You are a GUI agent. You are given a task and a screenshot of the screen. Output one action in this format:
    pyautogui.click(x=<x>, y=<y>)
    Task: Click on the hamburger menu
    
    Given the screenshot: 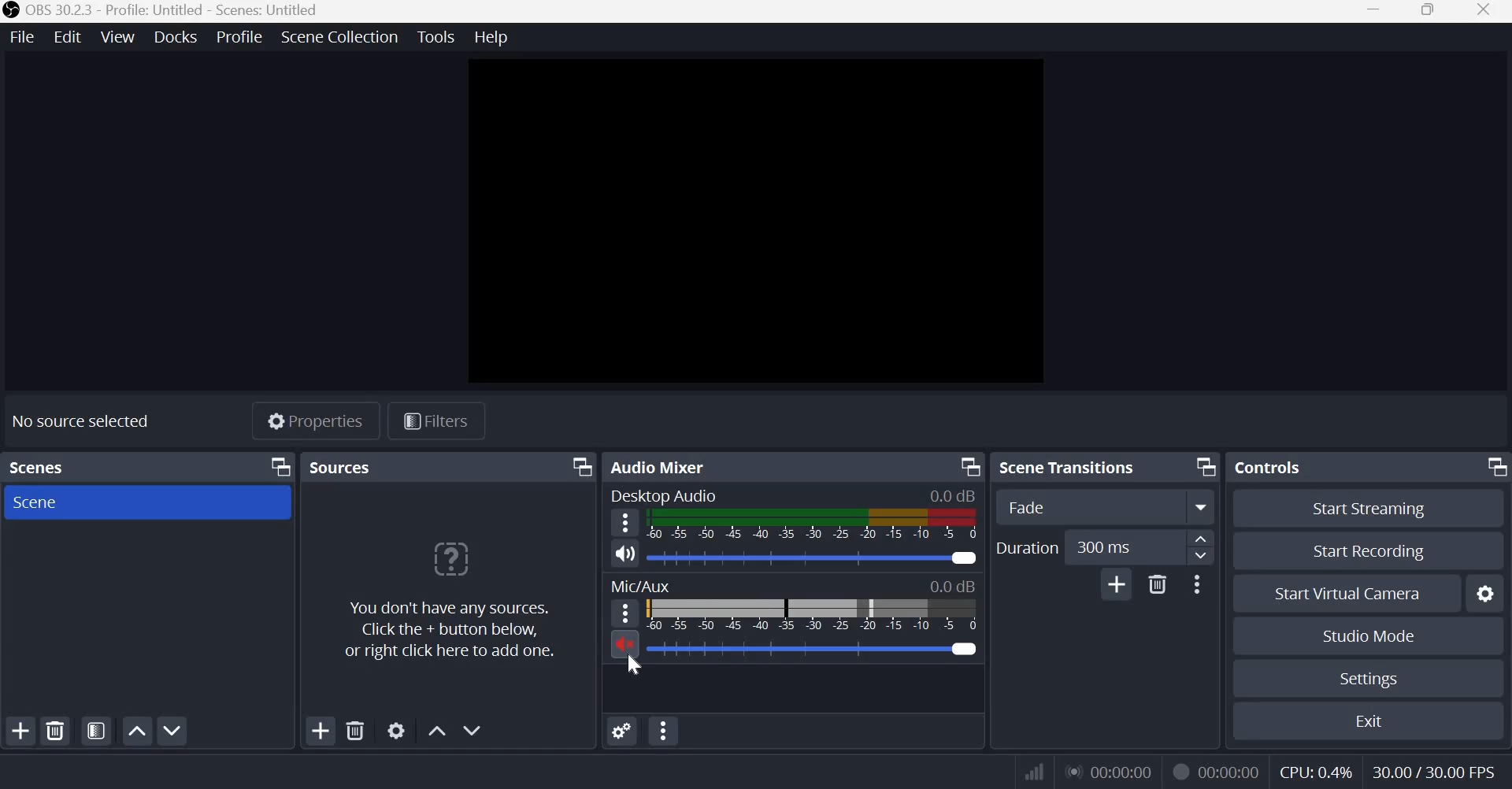 What is the action you would take?
    pyautogui.click(x=624, y=522)
    